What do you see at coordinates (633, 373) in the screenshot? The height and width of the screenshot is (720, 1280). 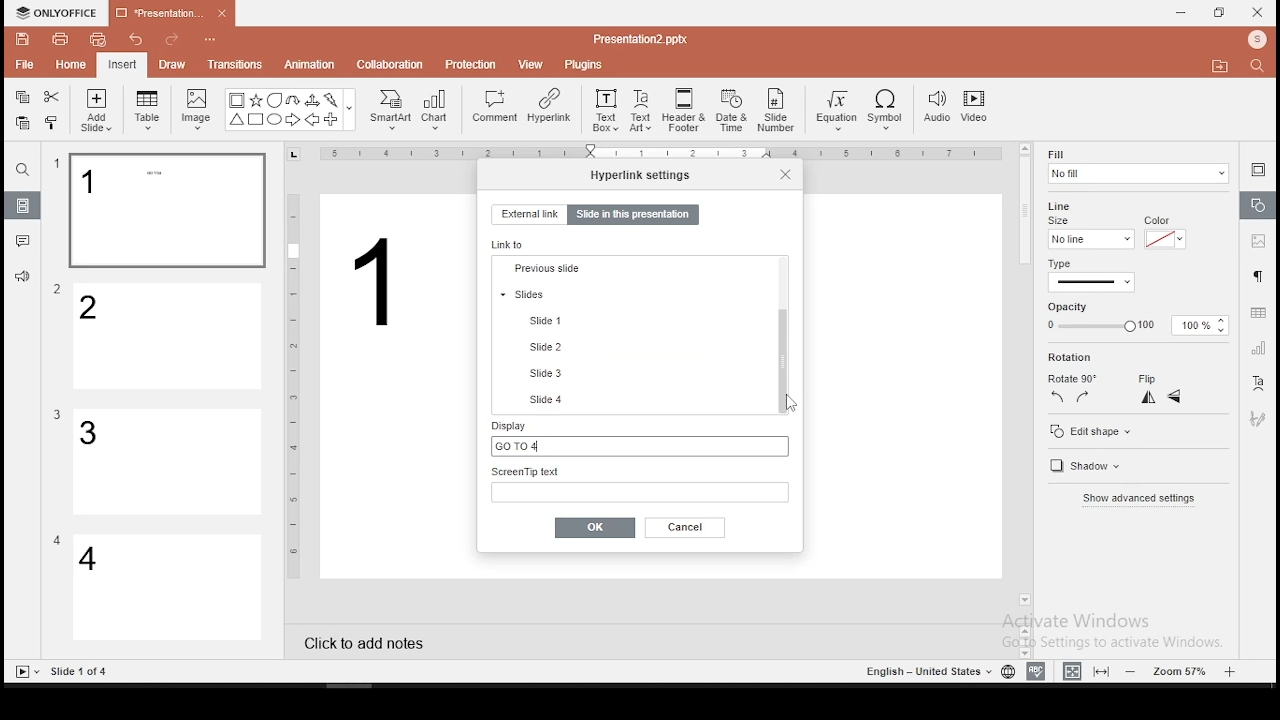 I see ` slides` at bounding box center [633, 373].